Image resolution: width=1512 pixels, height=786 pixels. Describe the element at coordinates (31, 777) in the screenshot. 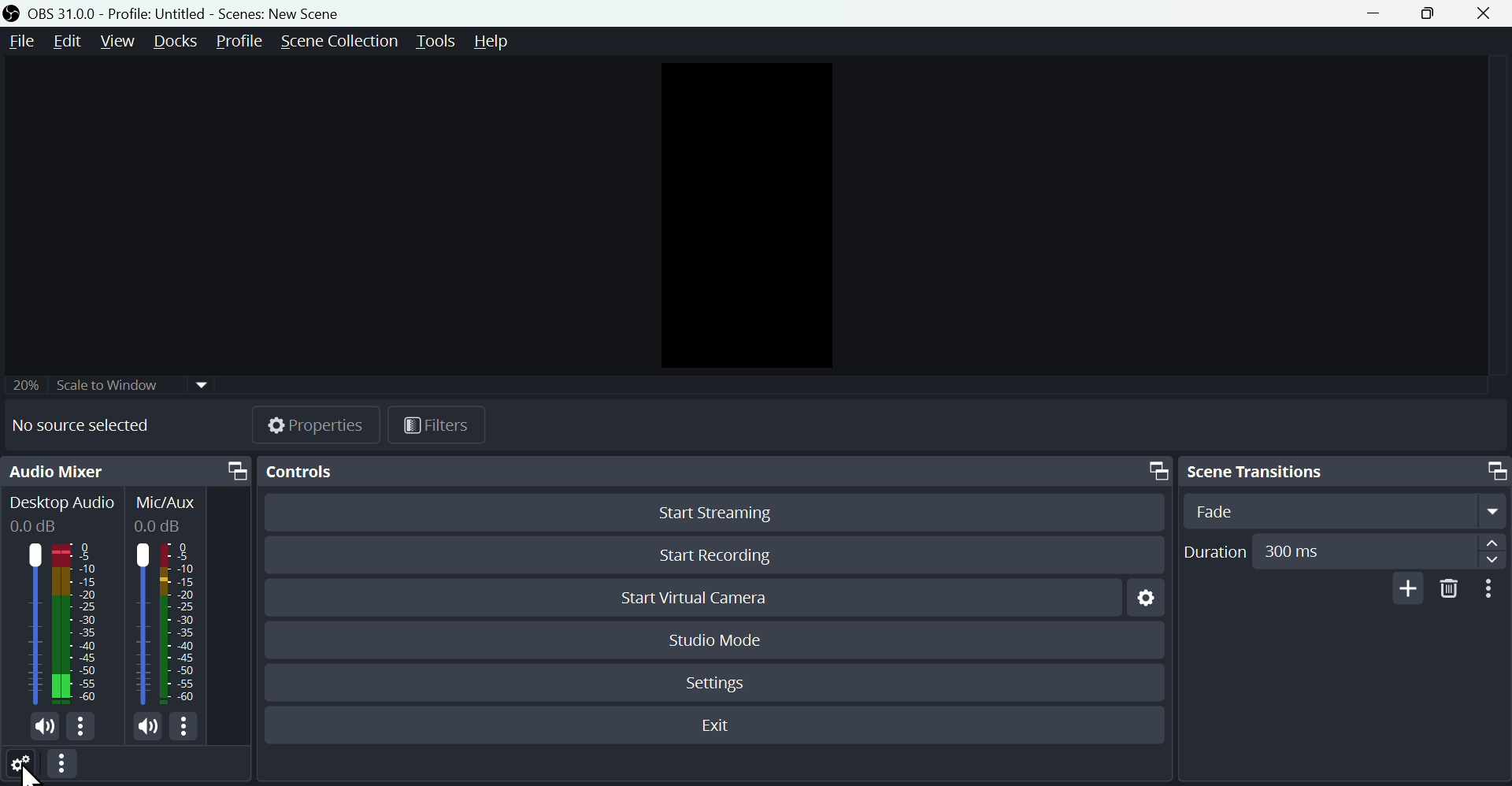

I see `Cursor` at that location.